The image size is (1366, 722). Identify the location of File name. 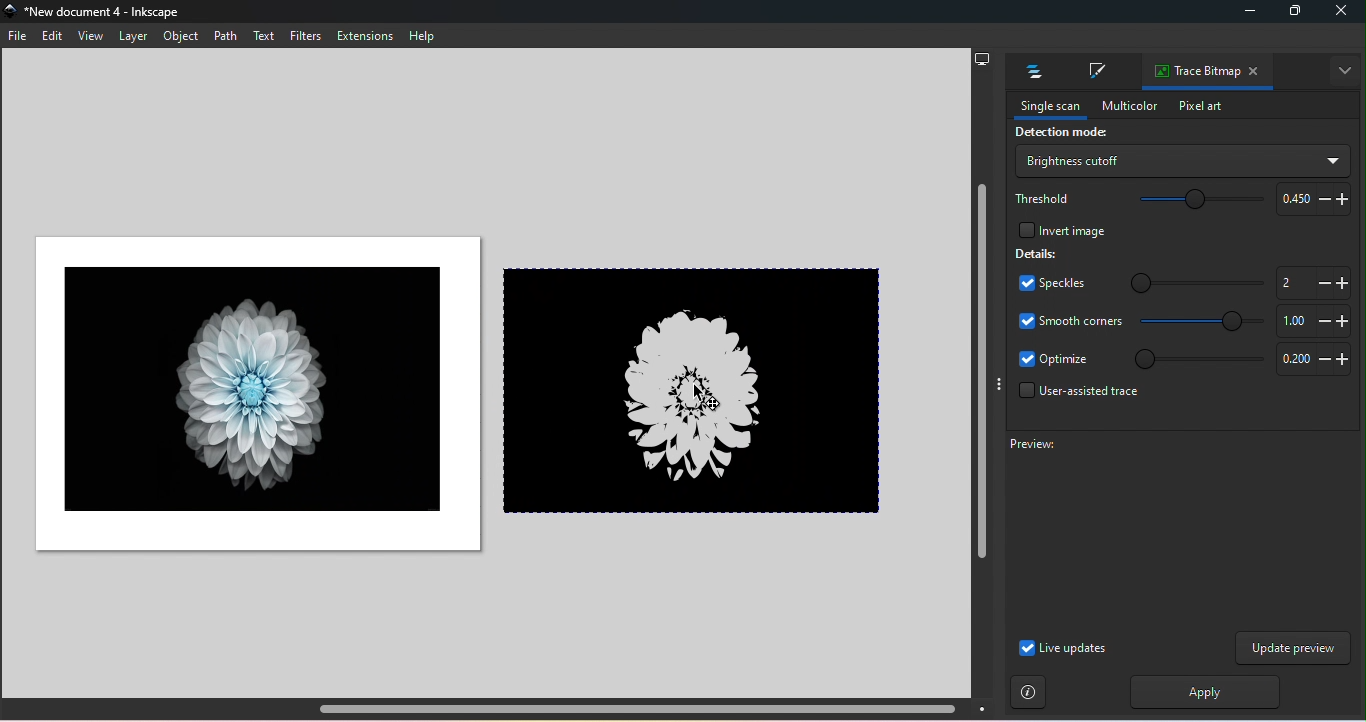
(100, 13).